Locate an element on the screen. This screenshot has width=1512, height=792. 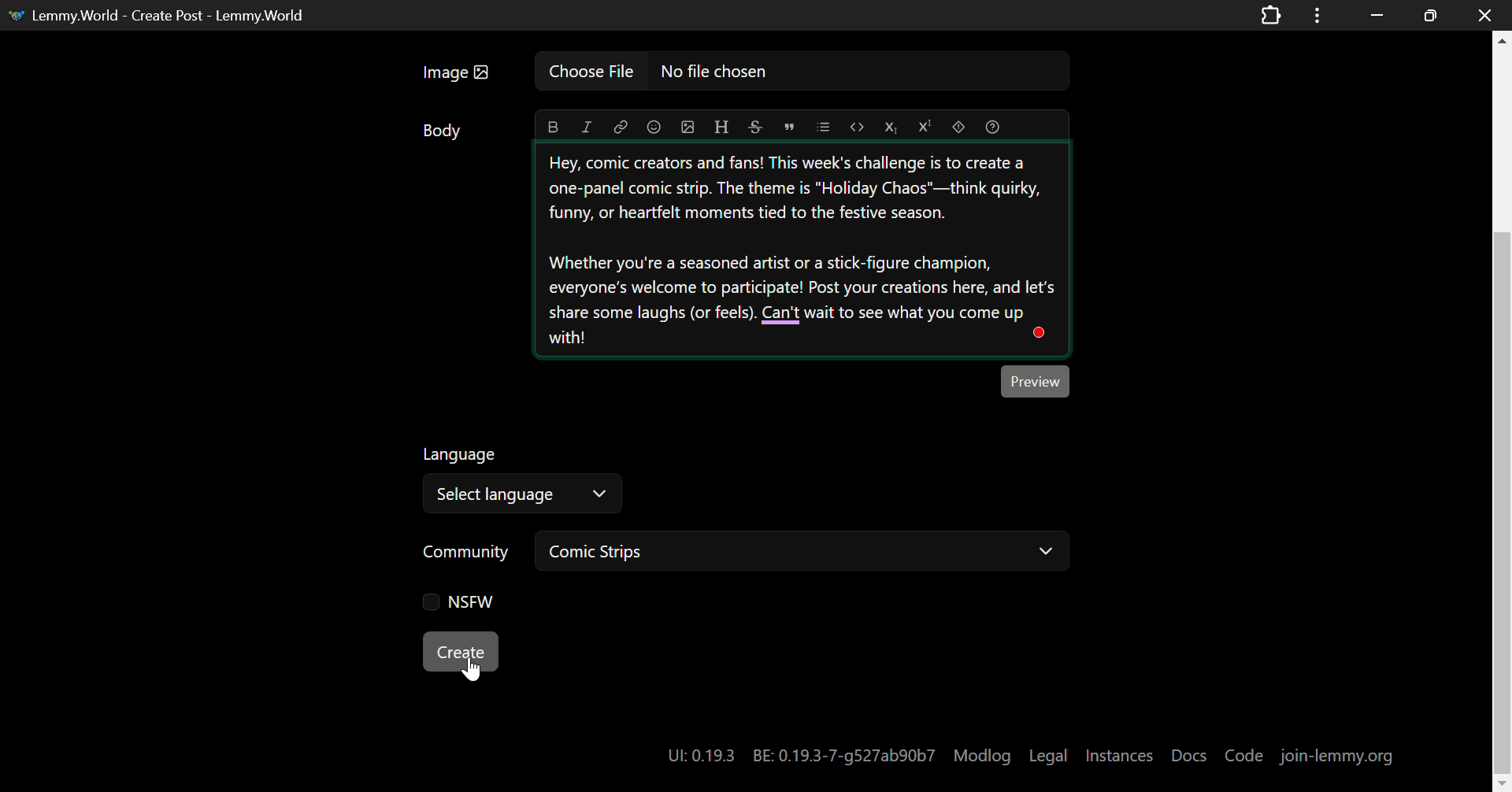
Minimize Window is located at coordinates (1432, 15).